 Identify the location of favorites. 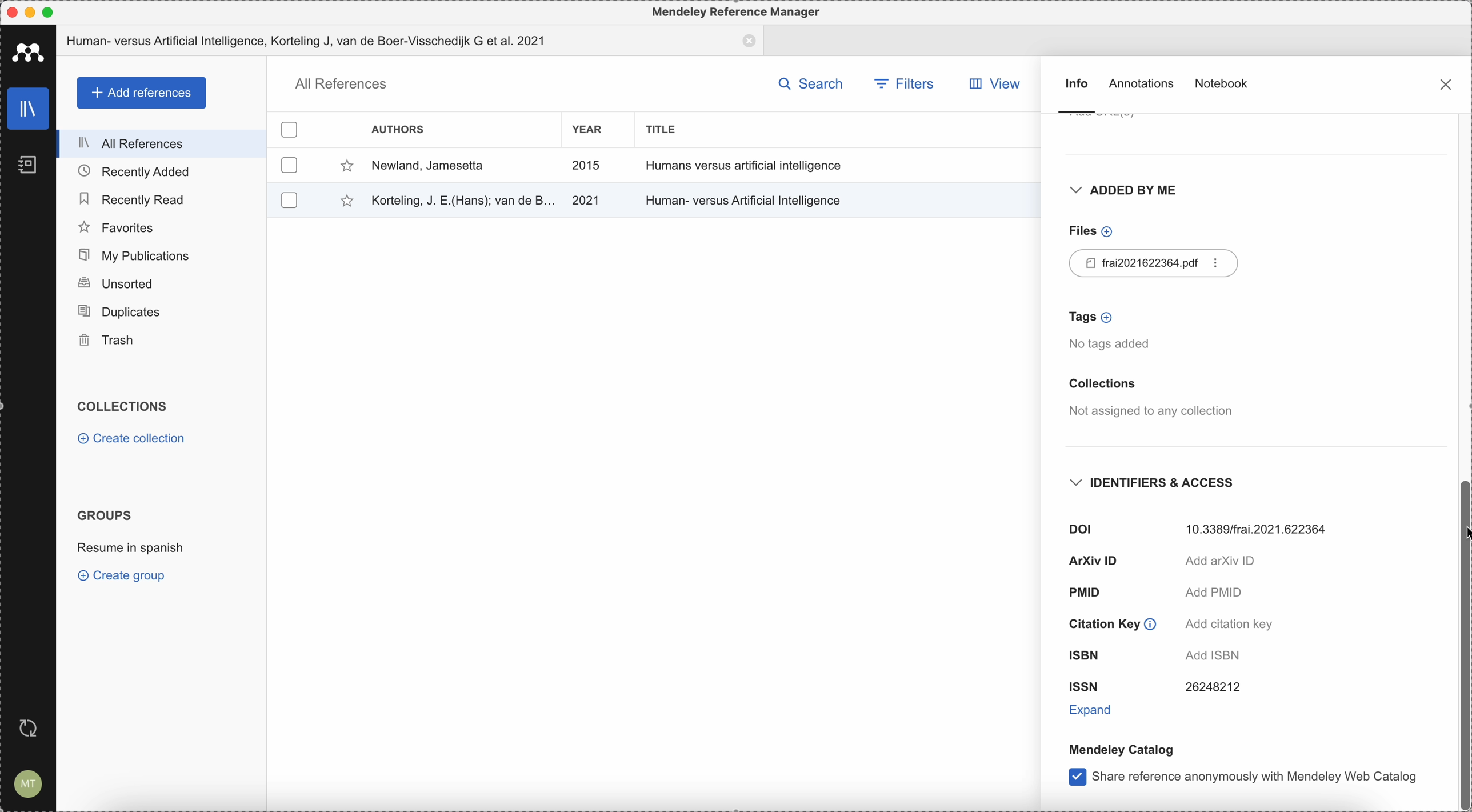
(162, 226).